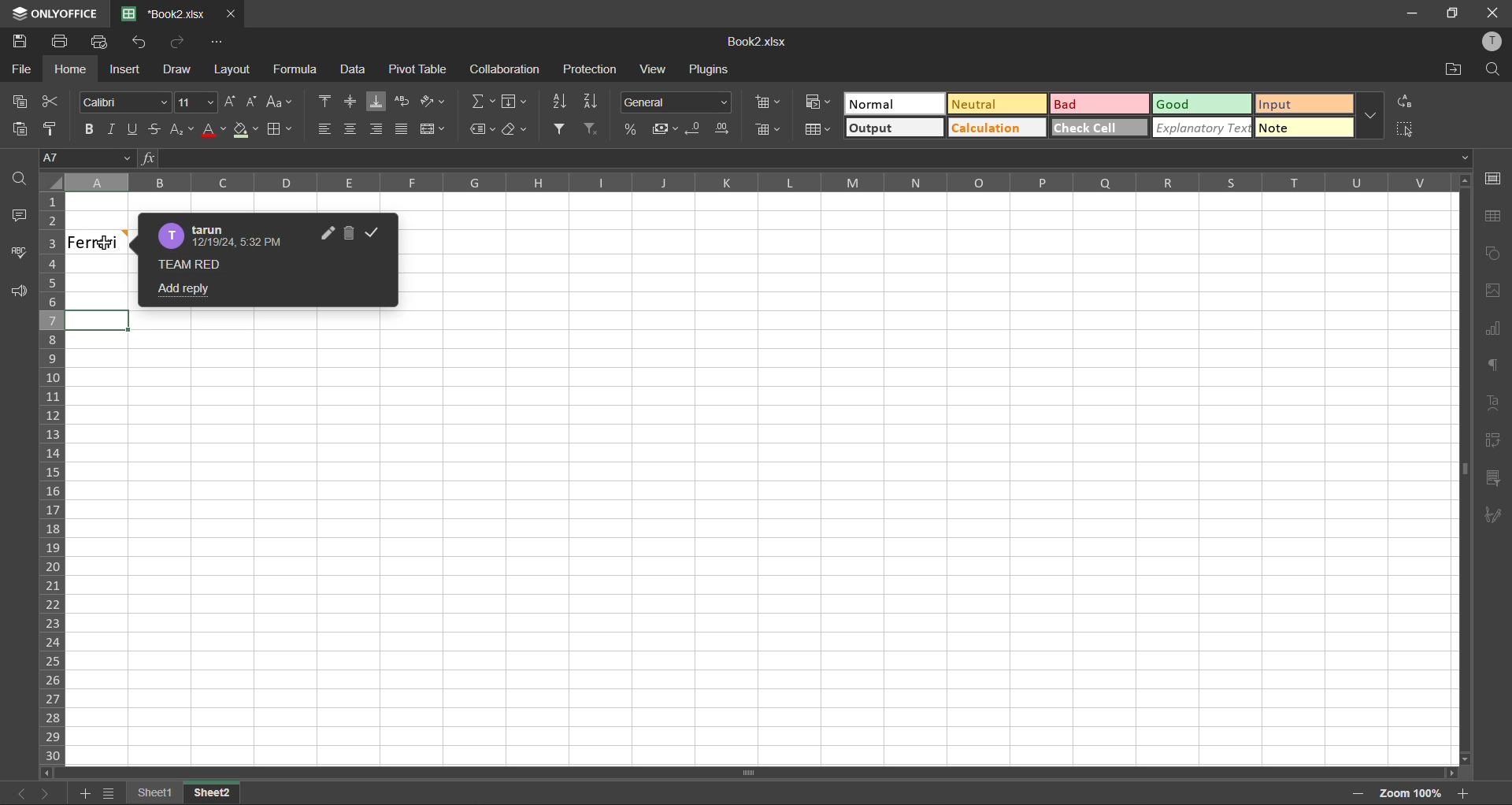 The width and height of the screenshot is (1512, 805). Describe the element at coordinates (232, 105) in the screenshot. I see `increment size` at that location.